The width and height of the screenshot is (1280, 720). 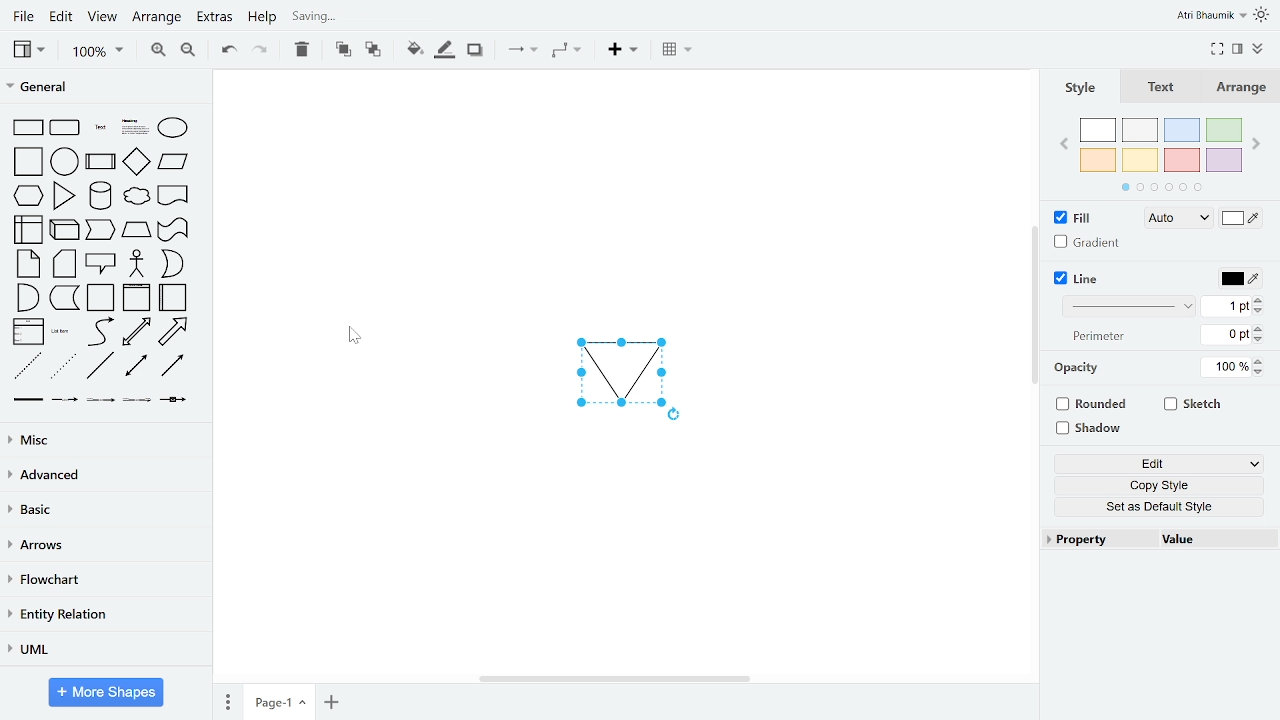 I want to click on edit, so click(x=1162, y=463).